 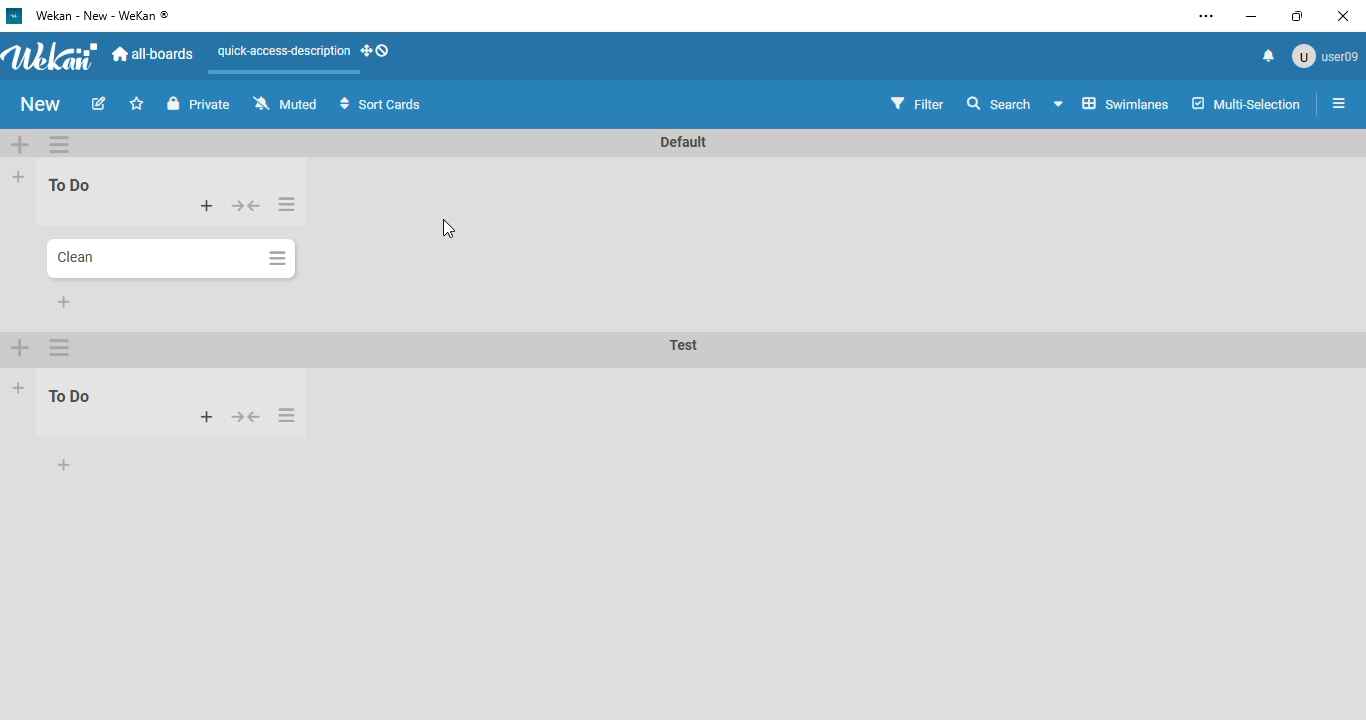 What do you see at coordinates (1298, 16) in the screenshot?
I see `maximize` at bounding box center [1298, 16].